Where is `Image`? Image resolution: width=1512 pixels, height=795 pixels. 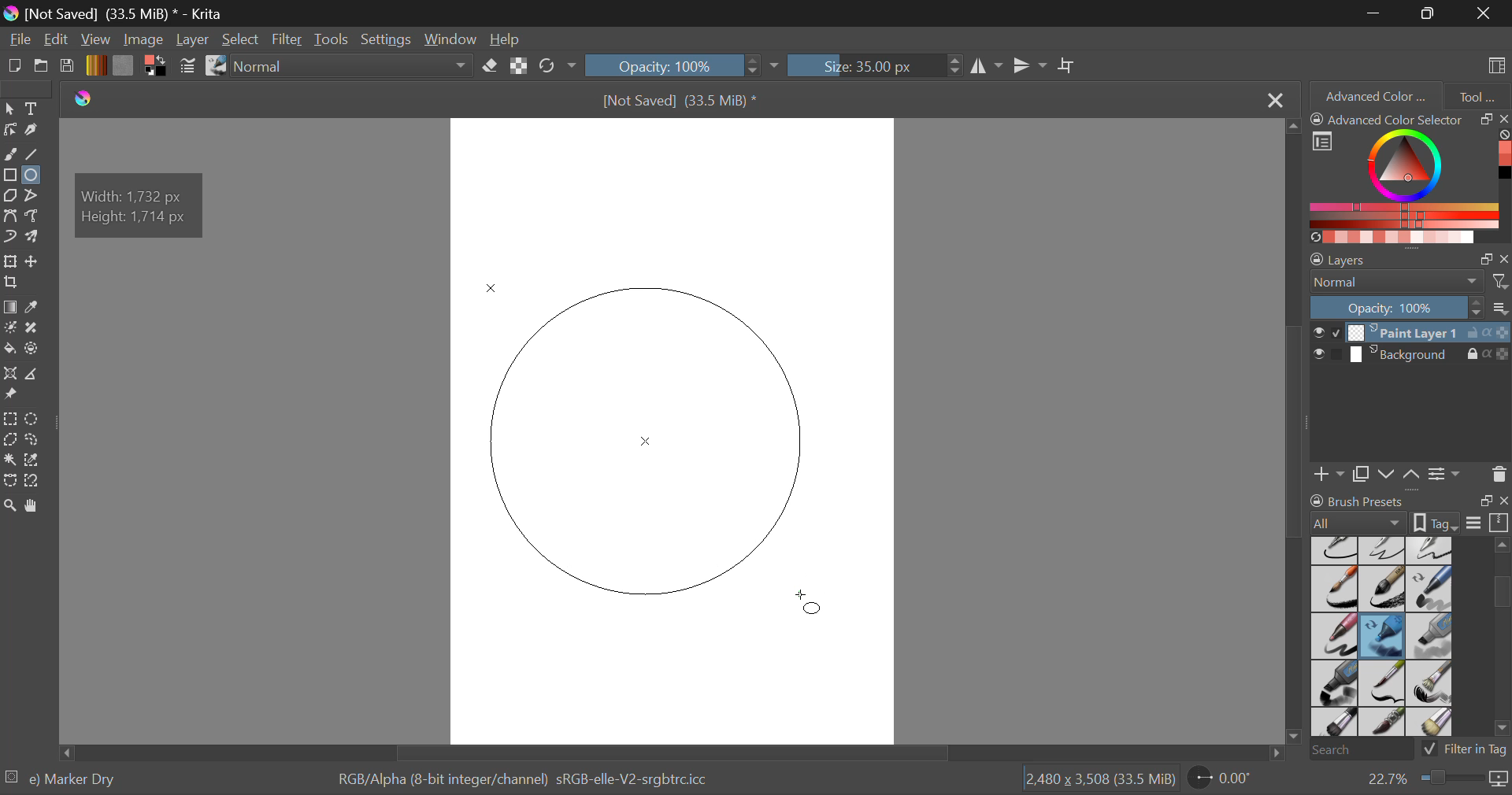 Image is located at coordinates (145, 39).